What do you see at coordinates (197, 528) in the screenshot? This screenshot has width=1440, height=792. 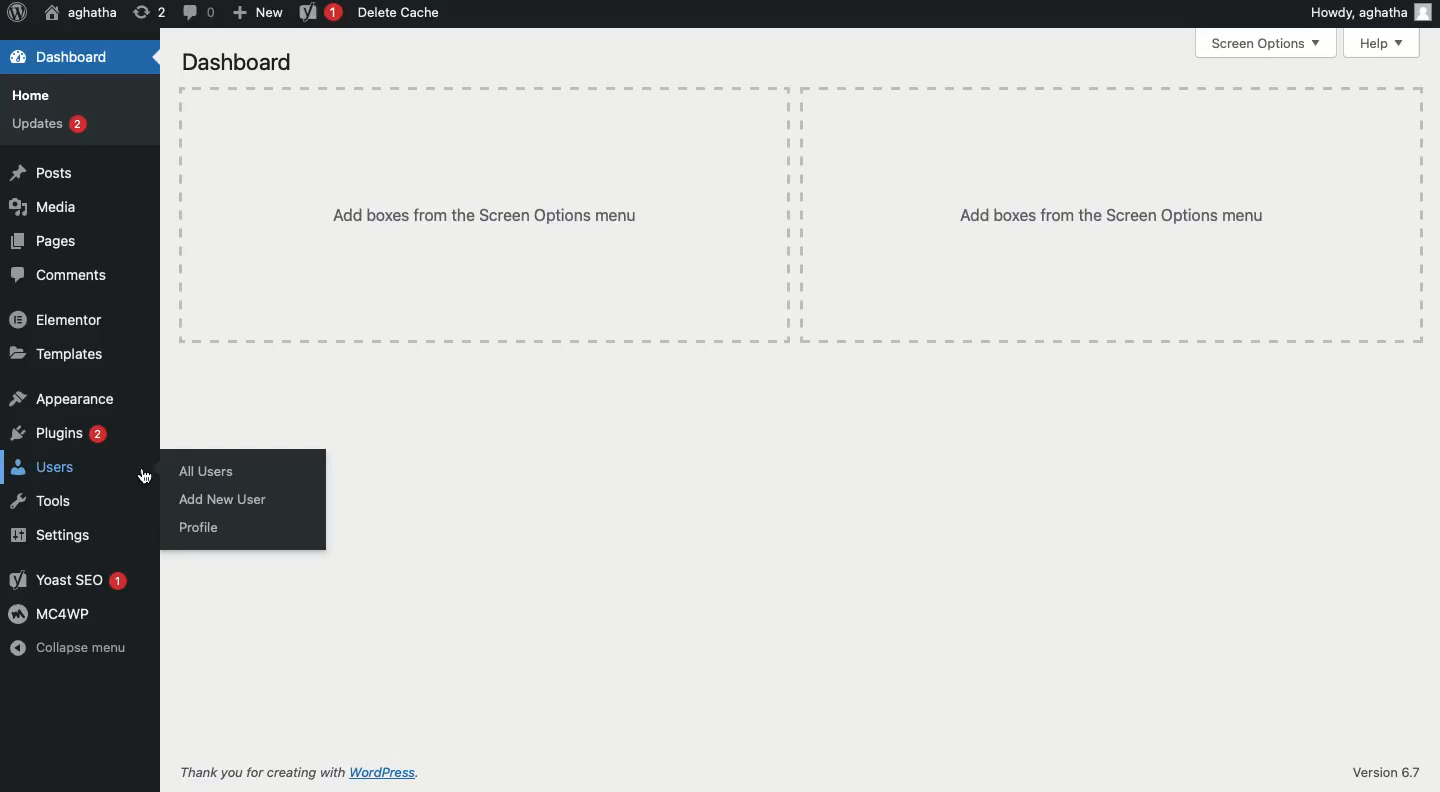 I see `Profile` at bounding box center [197, 528].